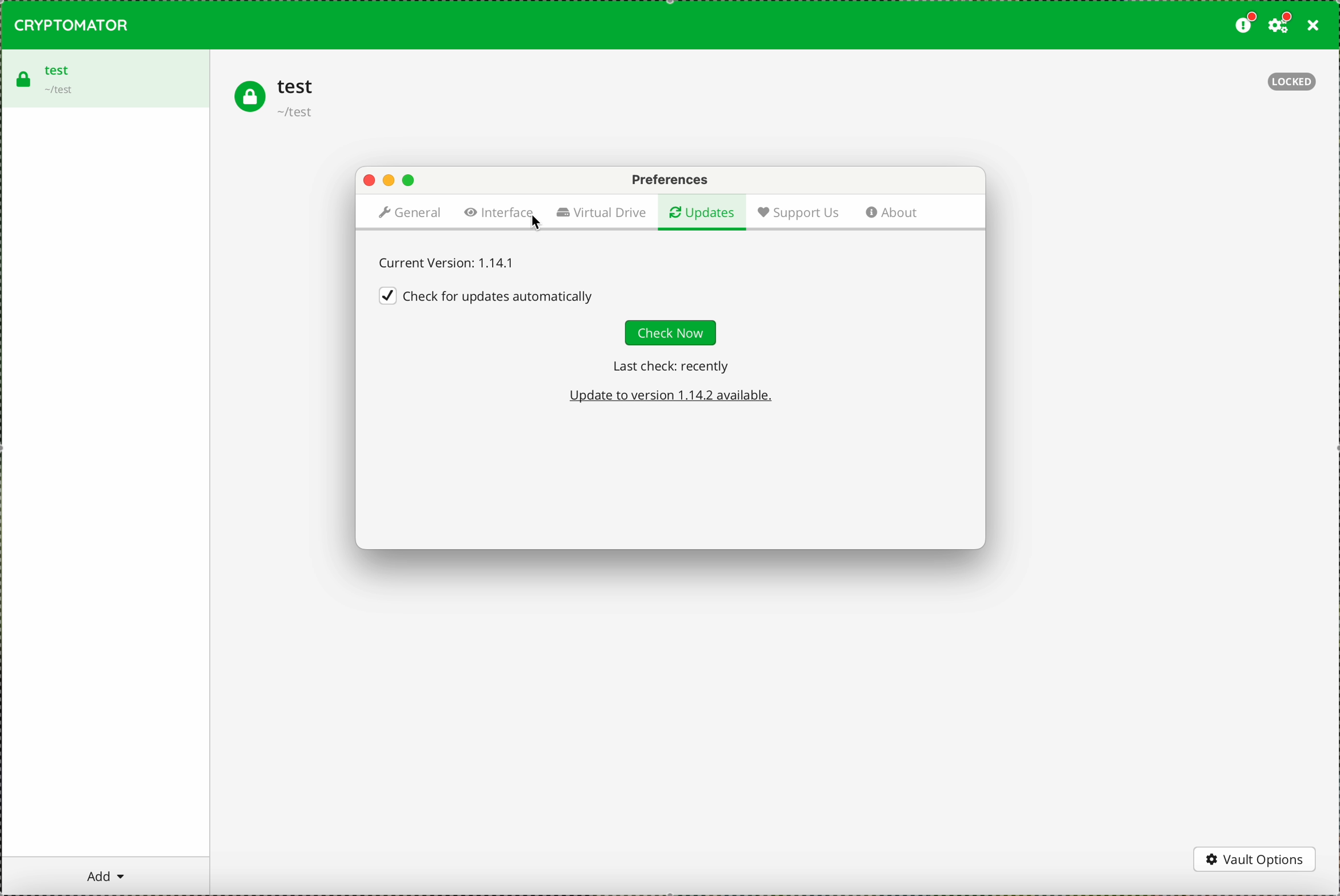  Describe the element at coordinates (1243, 25) in the screenshot. I see `donate` at that location.